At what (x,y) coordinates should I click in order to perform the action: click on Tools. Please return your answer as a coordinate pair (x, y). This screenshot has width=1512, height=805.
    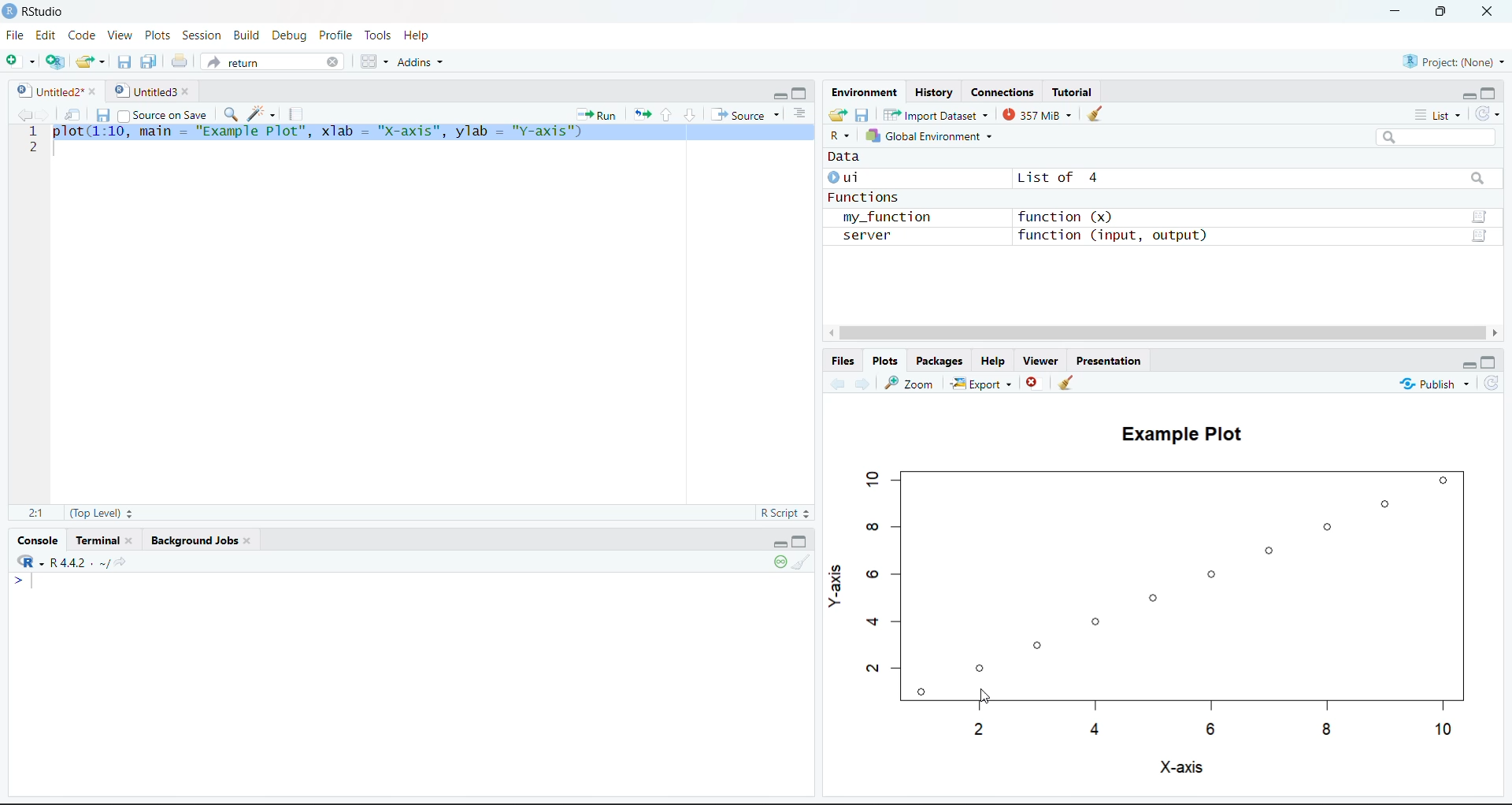
    Looking at the image, I should click on (380, 35).